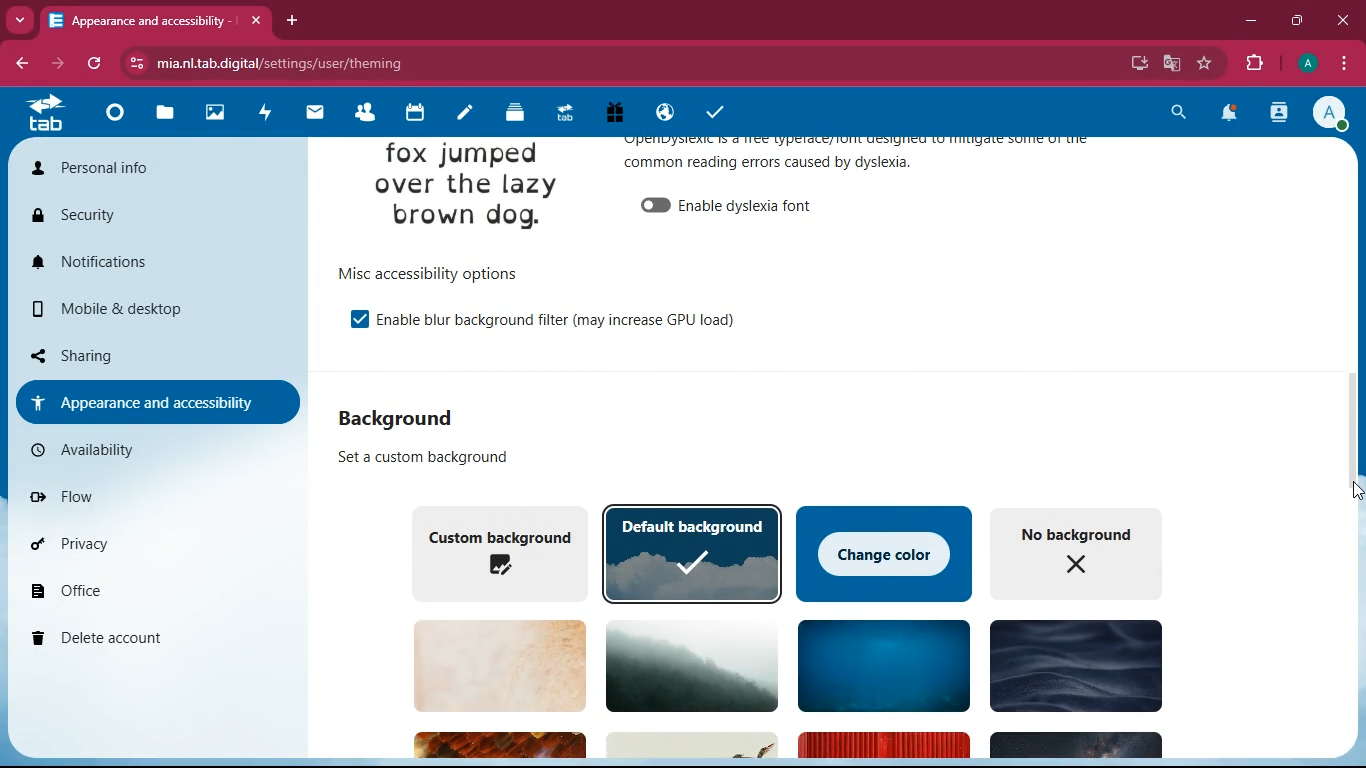 This screenshot has width=1366, height=768. Describe the element at coordinates (1331, 115) in the screenshot. I see `profile` at that location.